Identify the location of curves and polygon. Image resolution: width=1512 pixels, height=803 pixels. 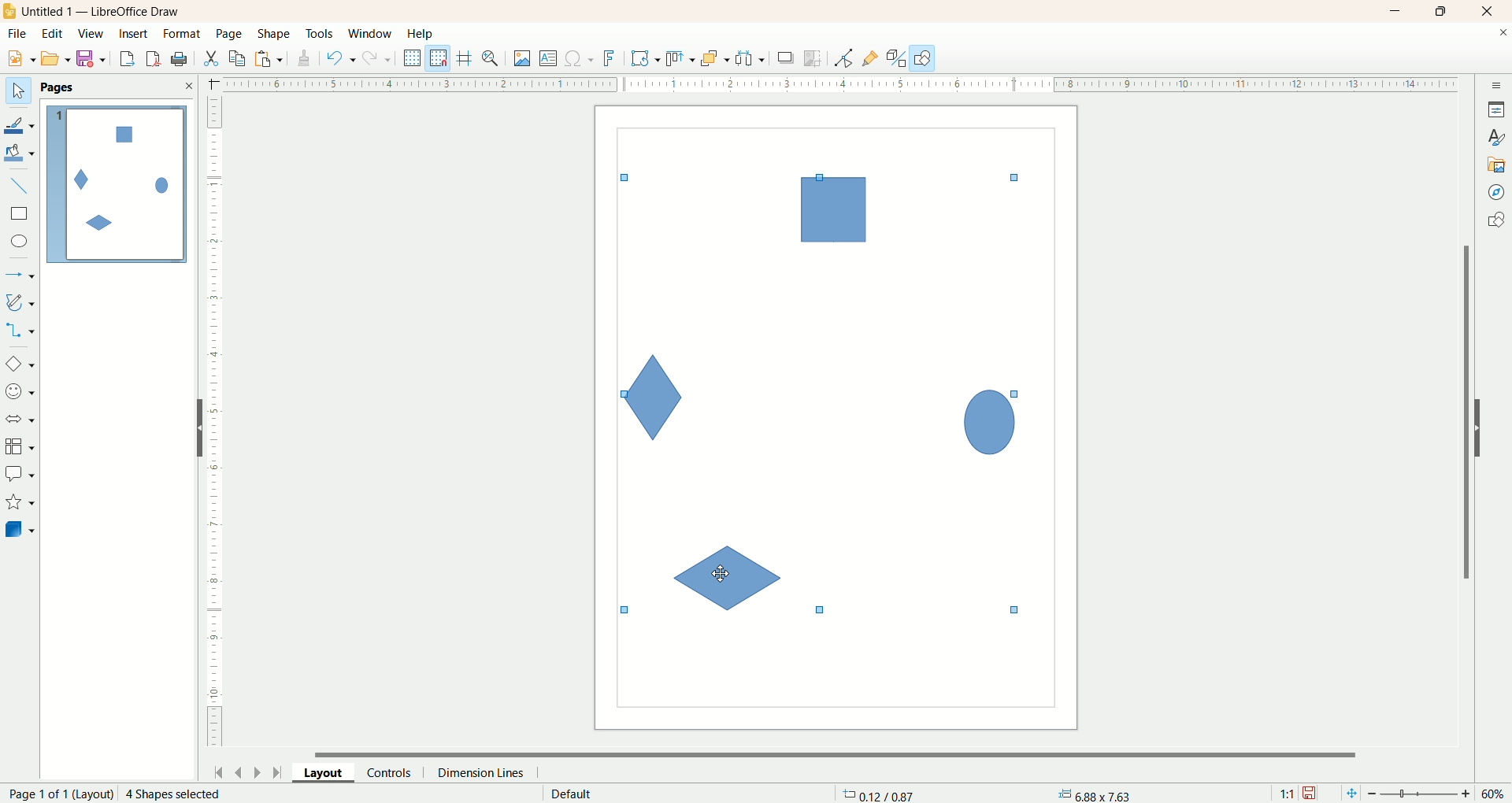
(21, 302).